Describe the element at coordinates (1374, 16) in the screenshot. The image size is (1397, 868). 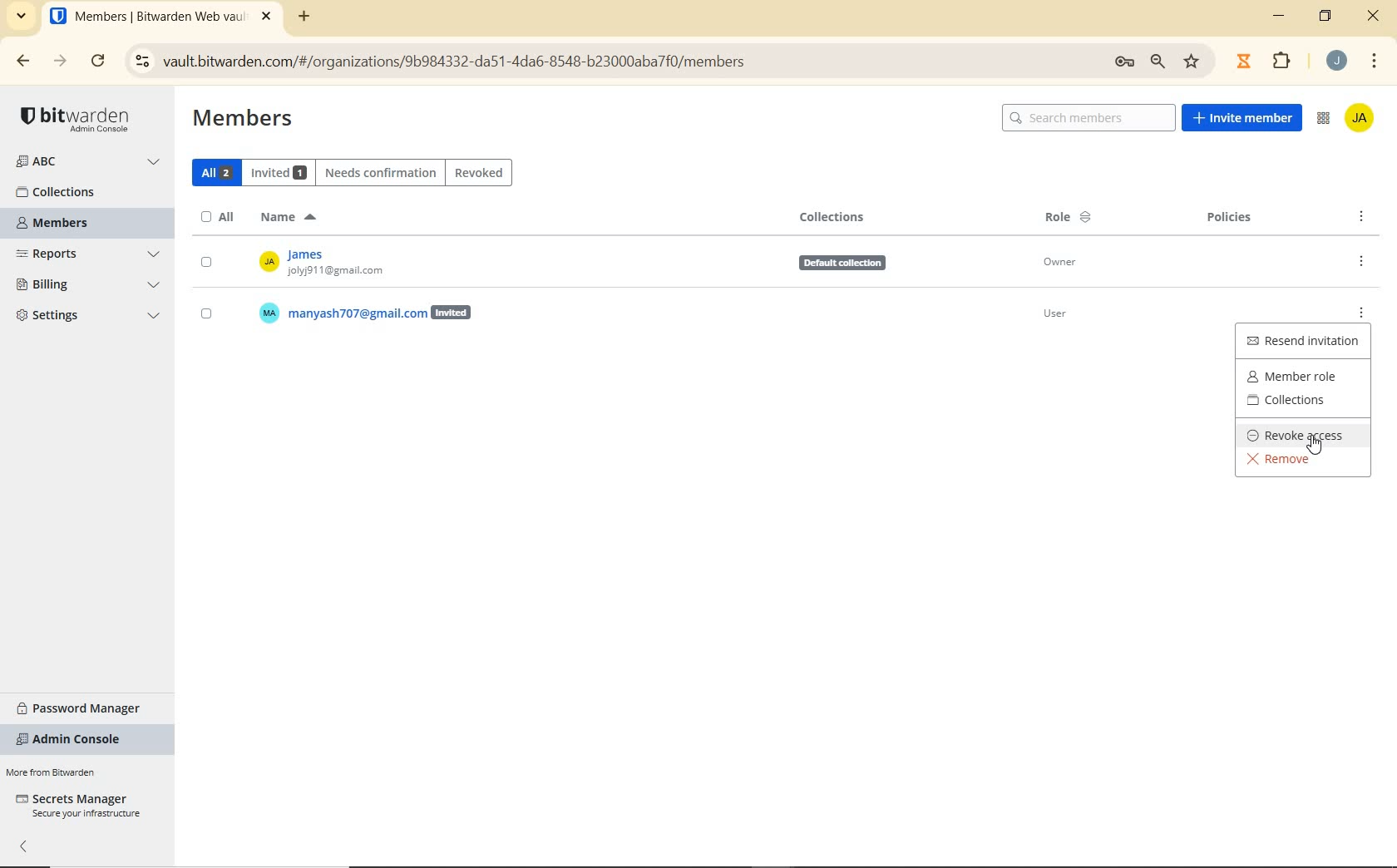
I see `CLOSE` at that location.